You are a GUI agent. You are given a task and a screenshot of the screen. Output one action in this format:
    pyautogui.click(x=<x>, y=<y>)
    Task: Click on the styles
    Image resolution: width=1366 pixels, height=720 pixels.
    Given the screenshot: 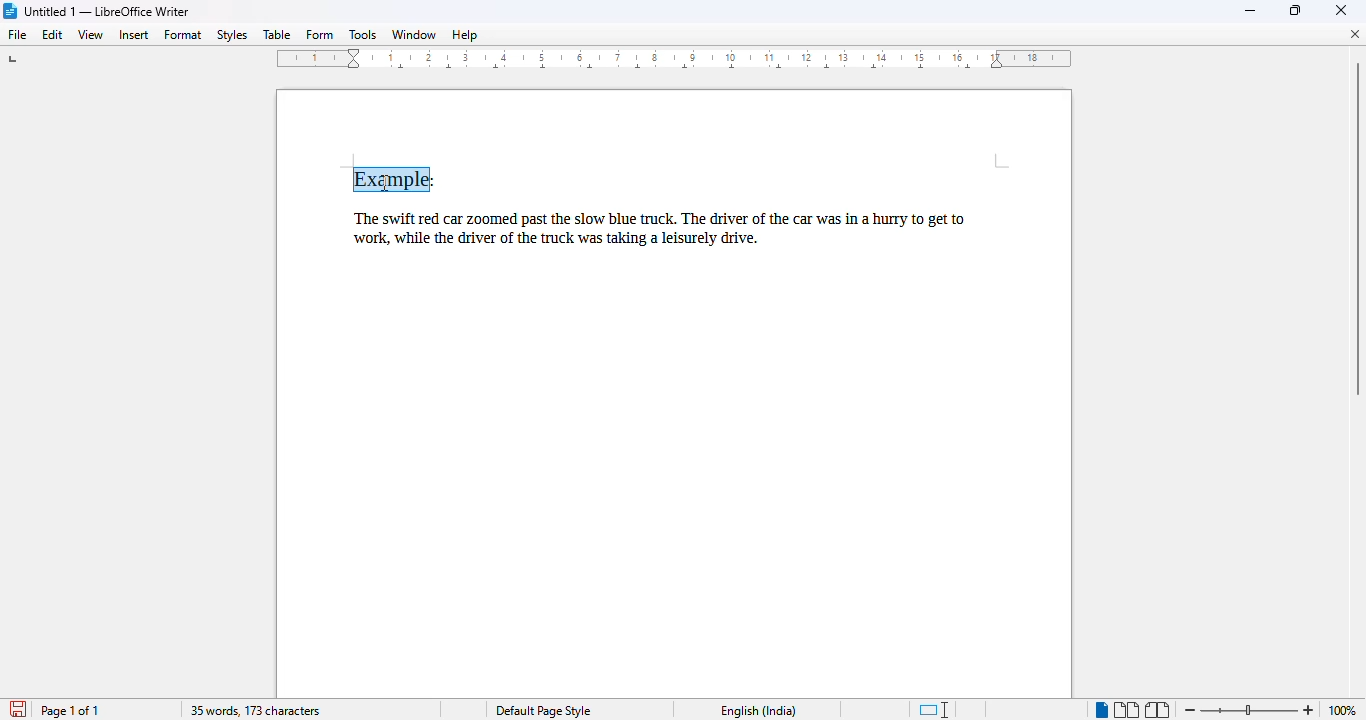 What is the action you would take?
    pyautogui.click(x=233, y=35)
    